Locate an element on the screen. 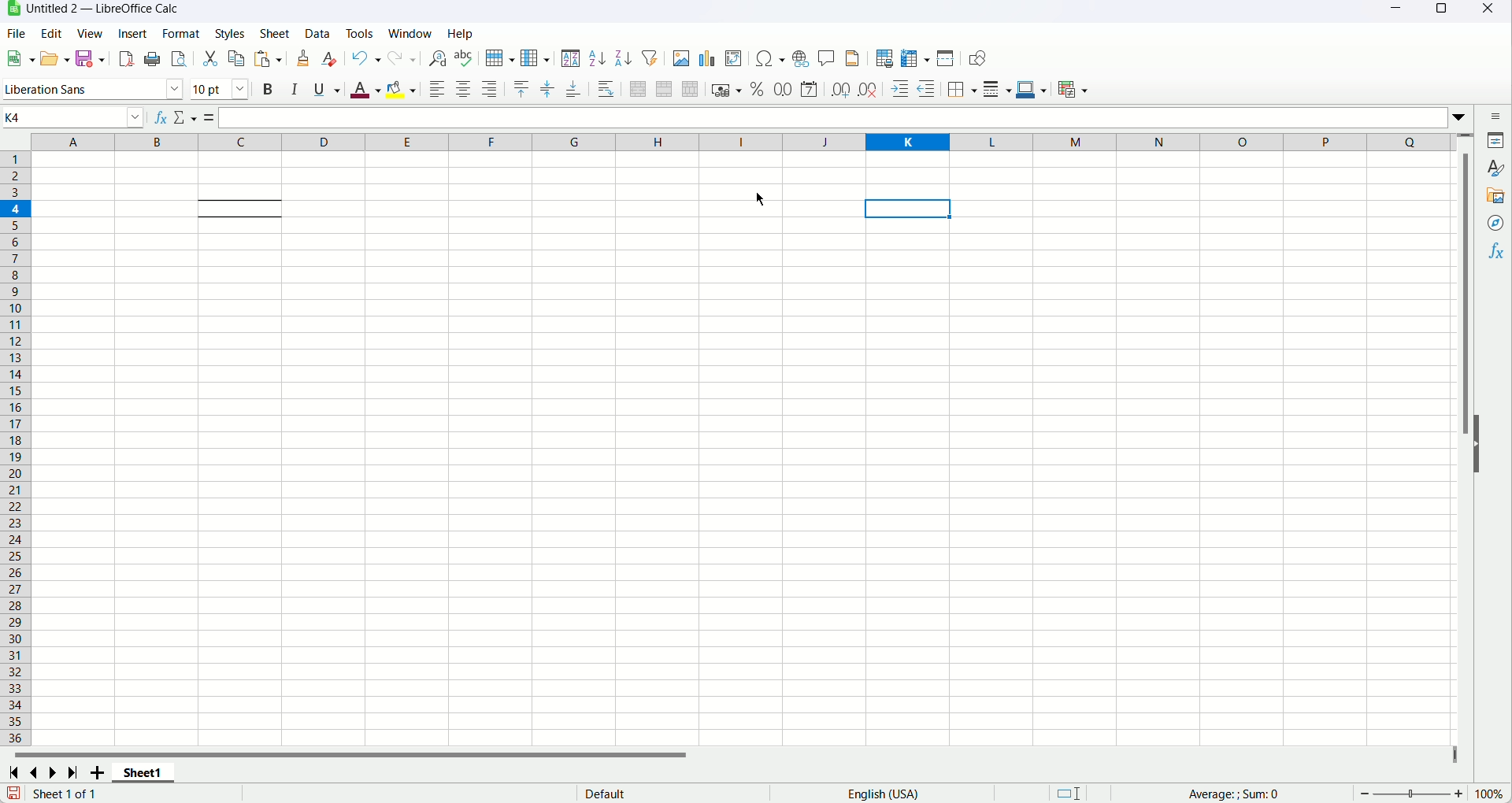 The image size is (1512, 803). Autofilter is located at coordinates (650, 57).